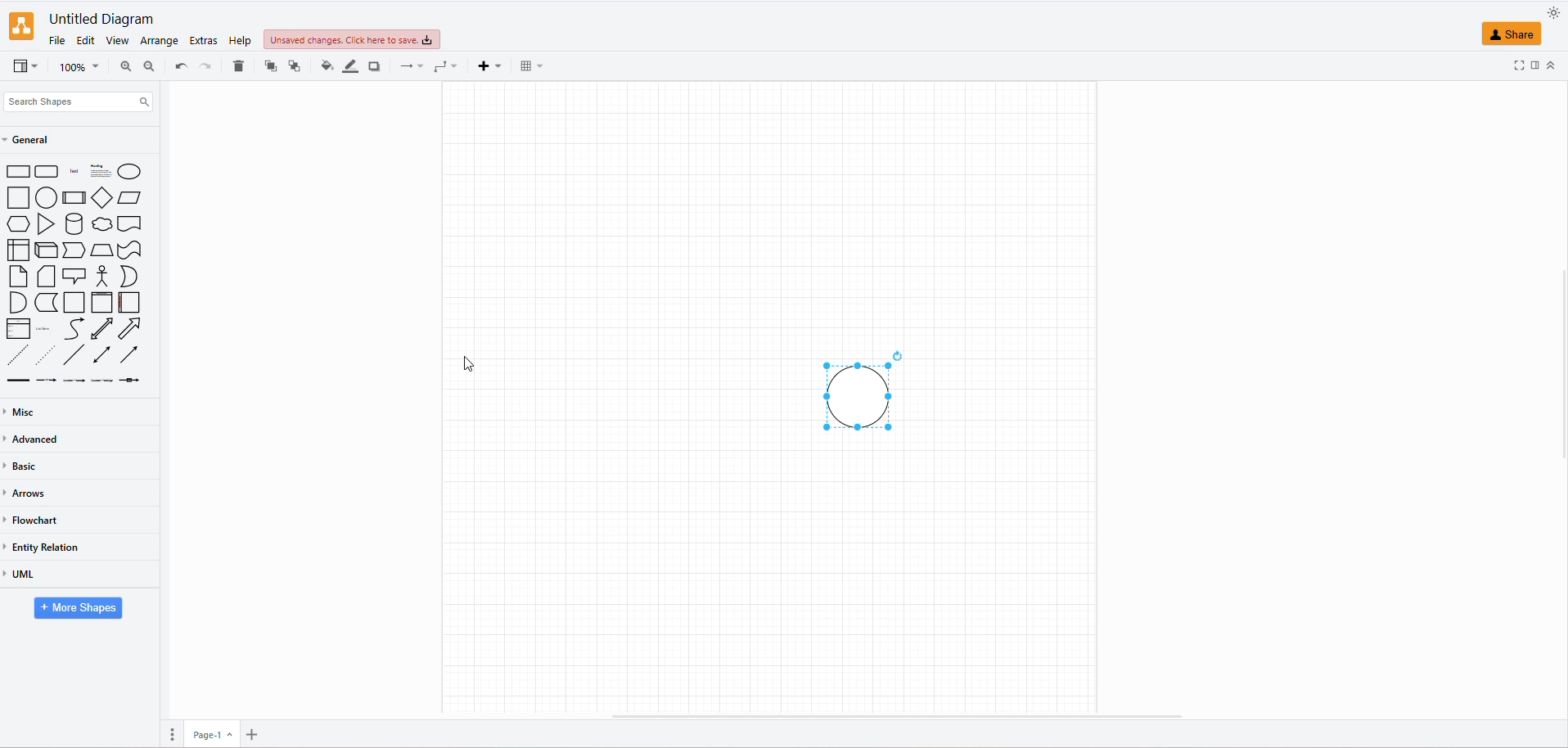 This screenshot has width=1568, height=748. What do you see at coordinates (131, 250) in the screenshot?
I see `TAPE` at bounding box center [131, 250].